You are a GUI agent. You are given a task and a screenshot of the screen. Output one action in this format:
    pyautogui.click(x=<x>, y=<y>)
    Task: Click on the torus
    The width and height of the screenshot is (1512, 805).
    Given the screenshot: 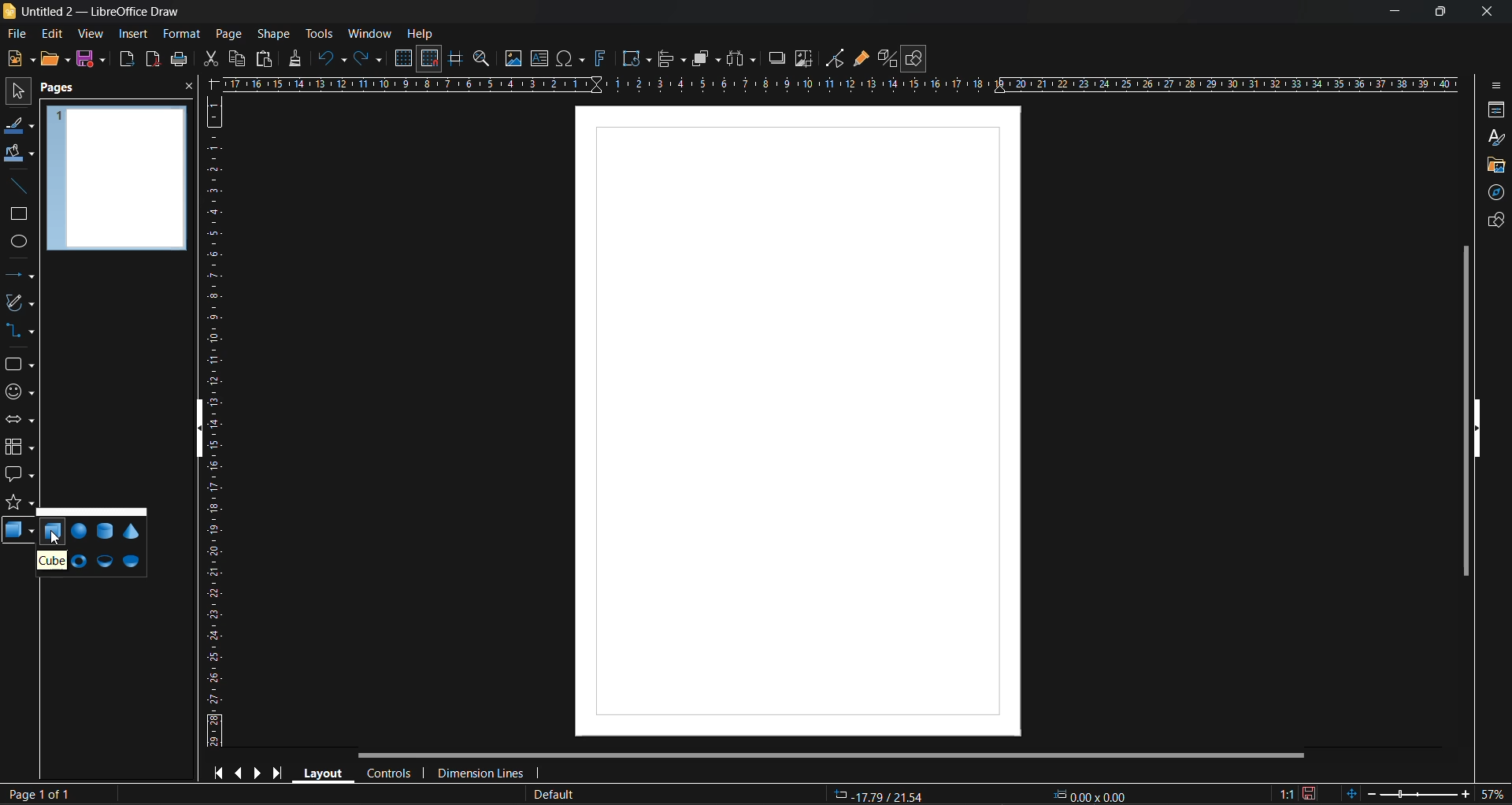 What is the action you would take?
    pyautogui.click(x=79, y=561)
    